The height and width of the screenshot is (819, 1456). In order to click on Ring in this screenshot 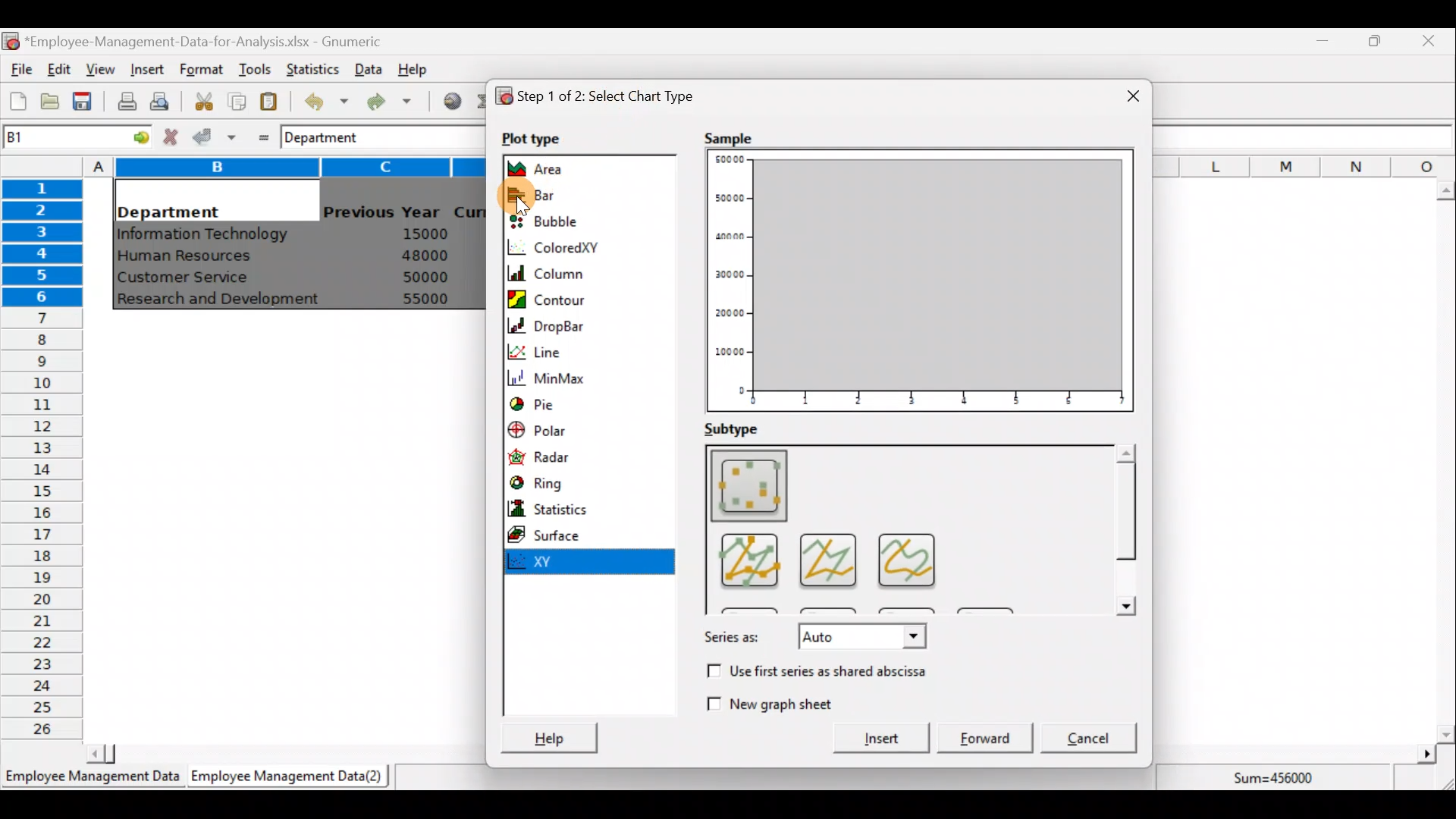, I will do `click(563, 479)`.